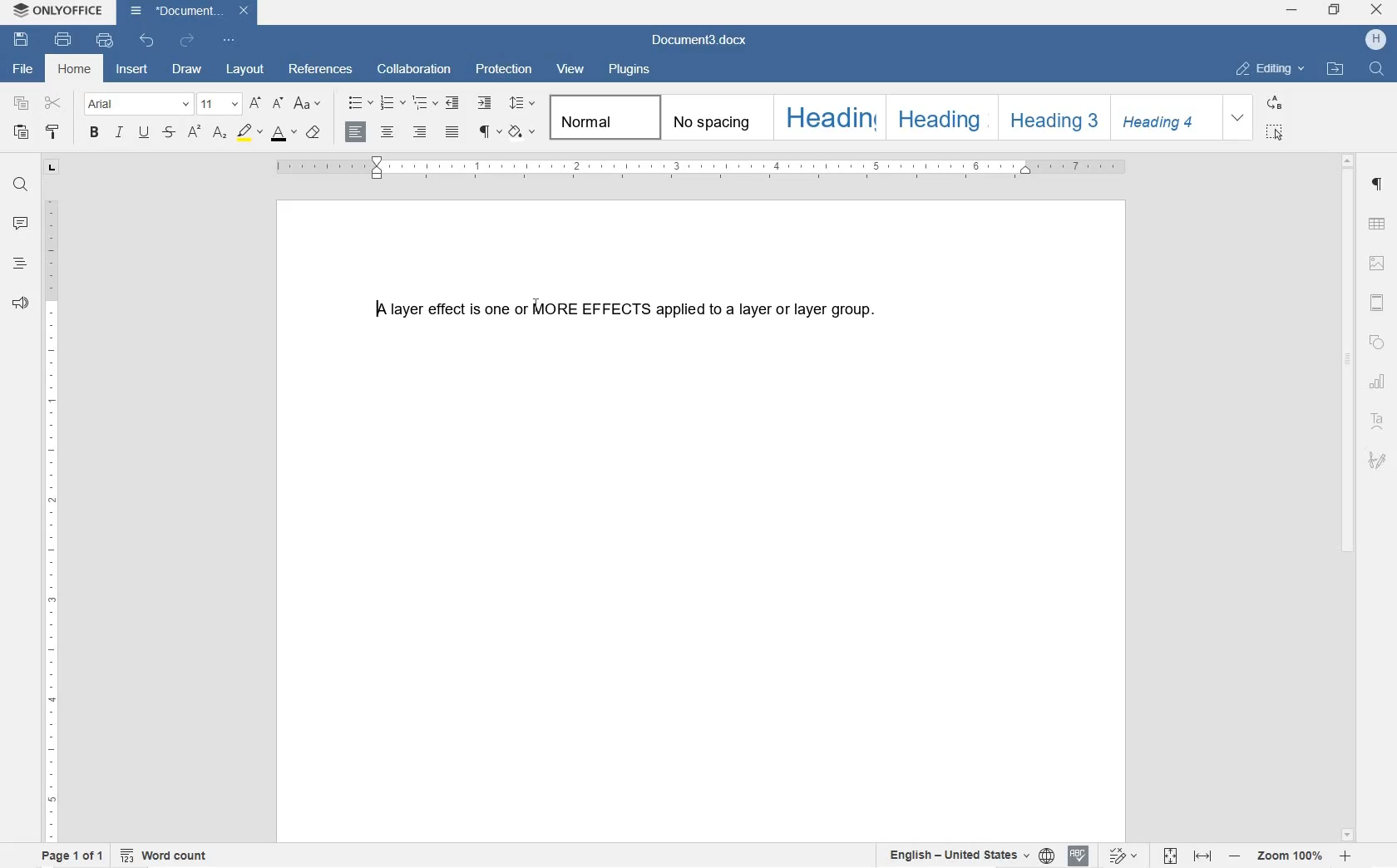 This screenshot has height=868, width=1397. I want to click on STRIKETHROUGH, so click(167, 133).